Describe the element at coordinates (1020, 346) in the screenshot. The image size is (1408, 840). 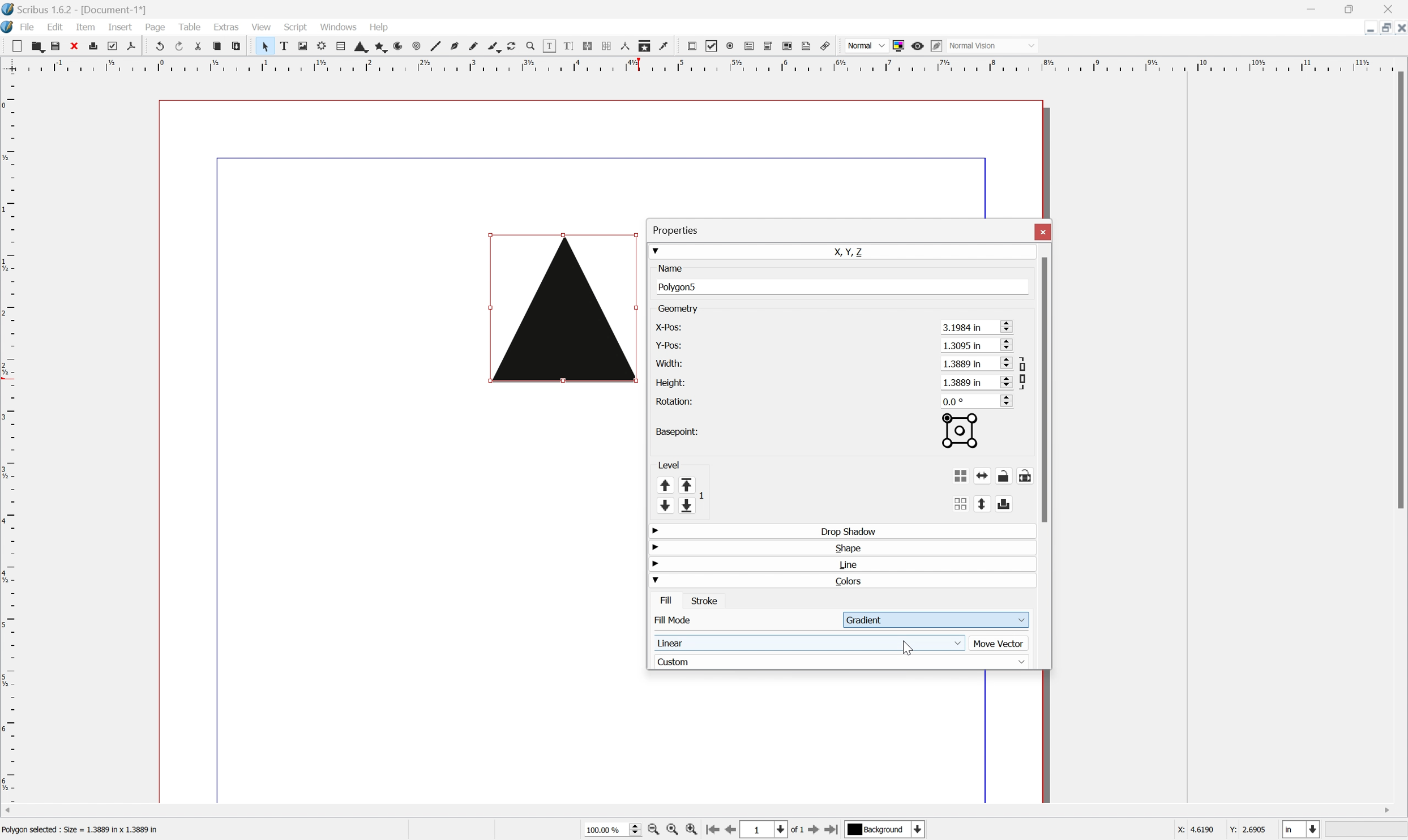
I see `Scroll` at that location.